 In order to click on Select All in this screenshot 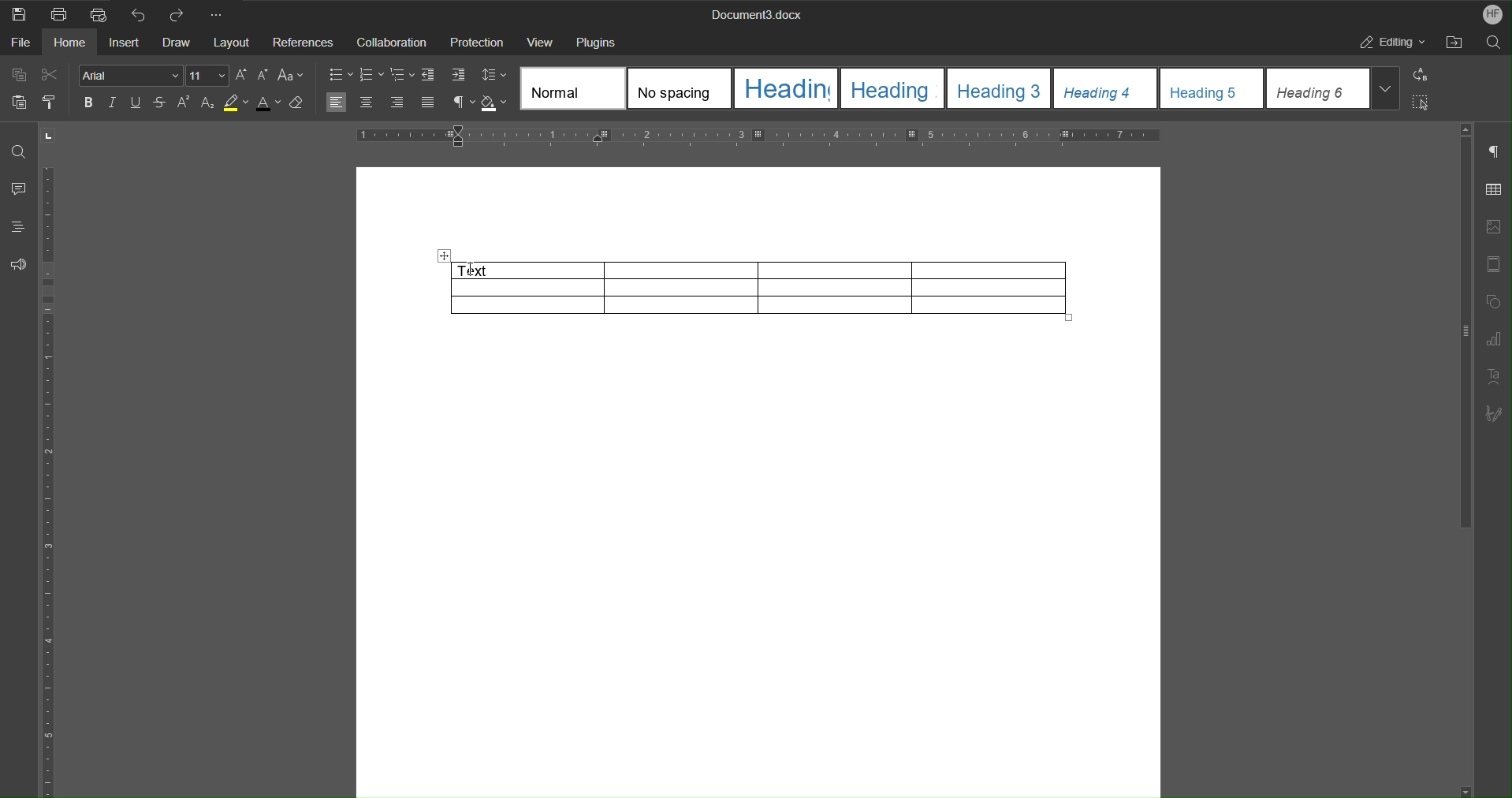, I will do `click(1424, 102)`.